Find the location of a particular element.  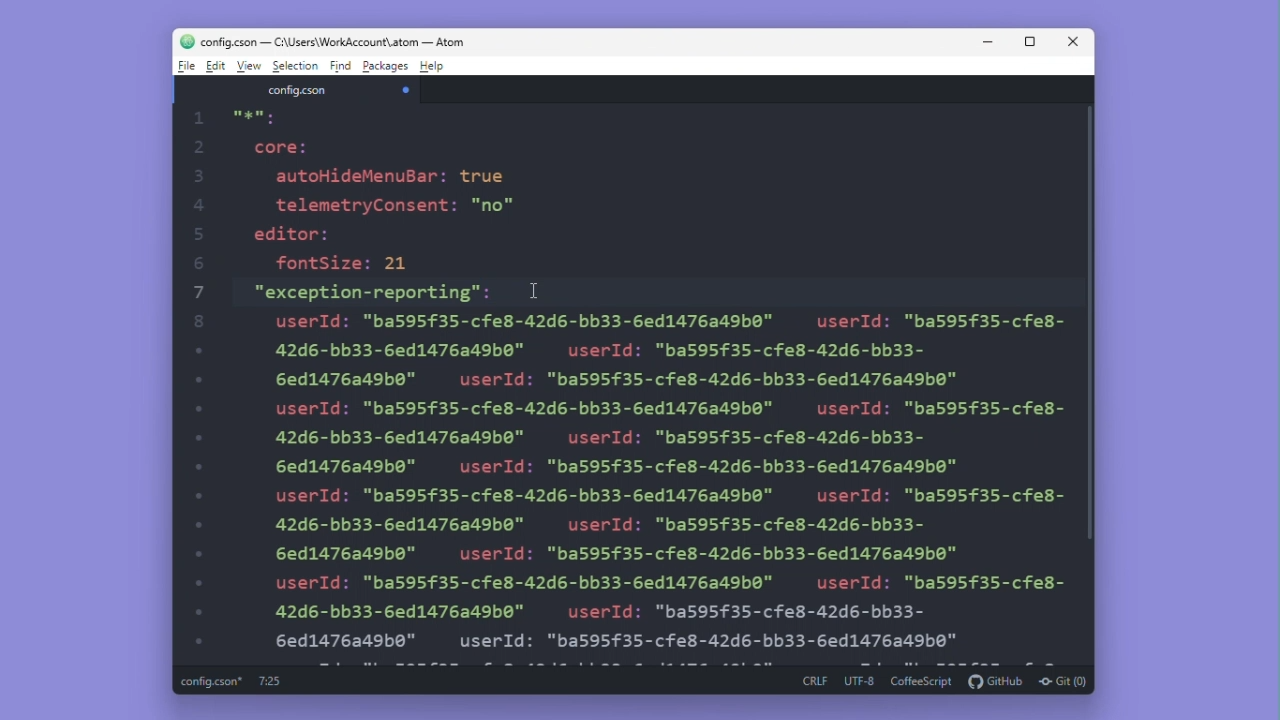

File name is located at coordinates (298, 91).